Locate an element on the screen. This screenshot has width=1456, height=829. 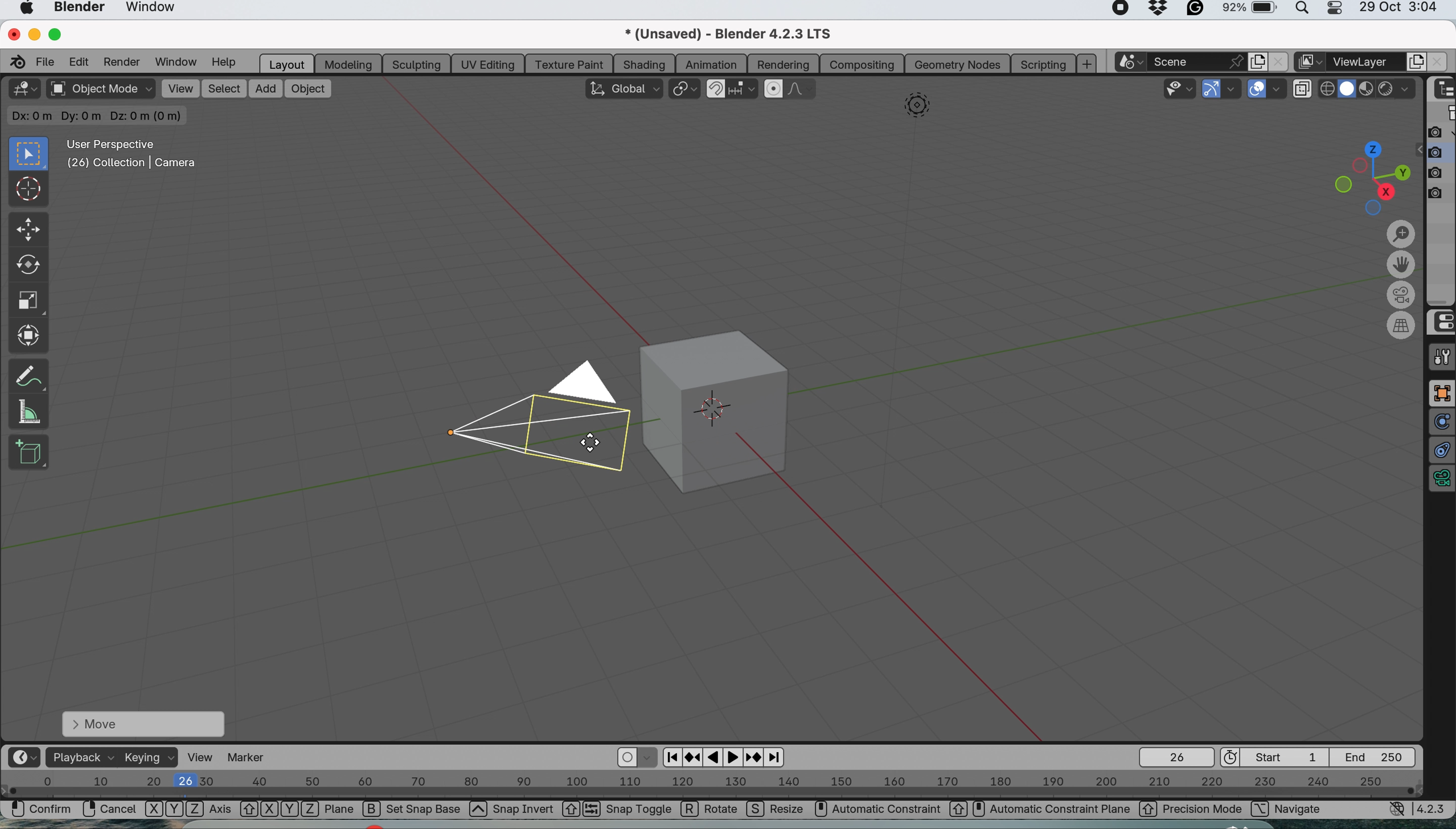
snapping is located at coordinates (744, 90).